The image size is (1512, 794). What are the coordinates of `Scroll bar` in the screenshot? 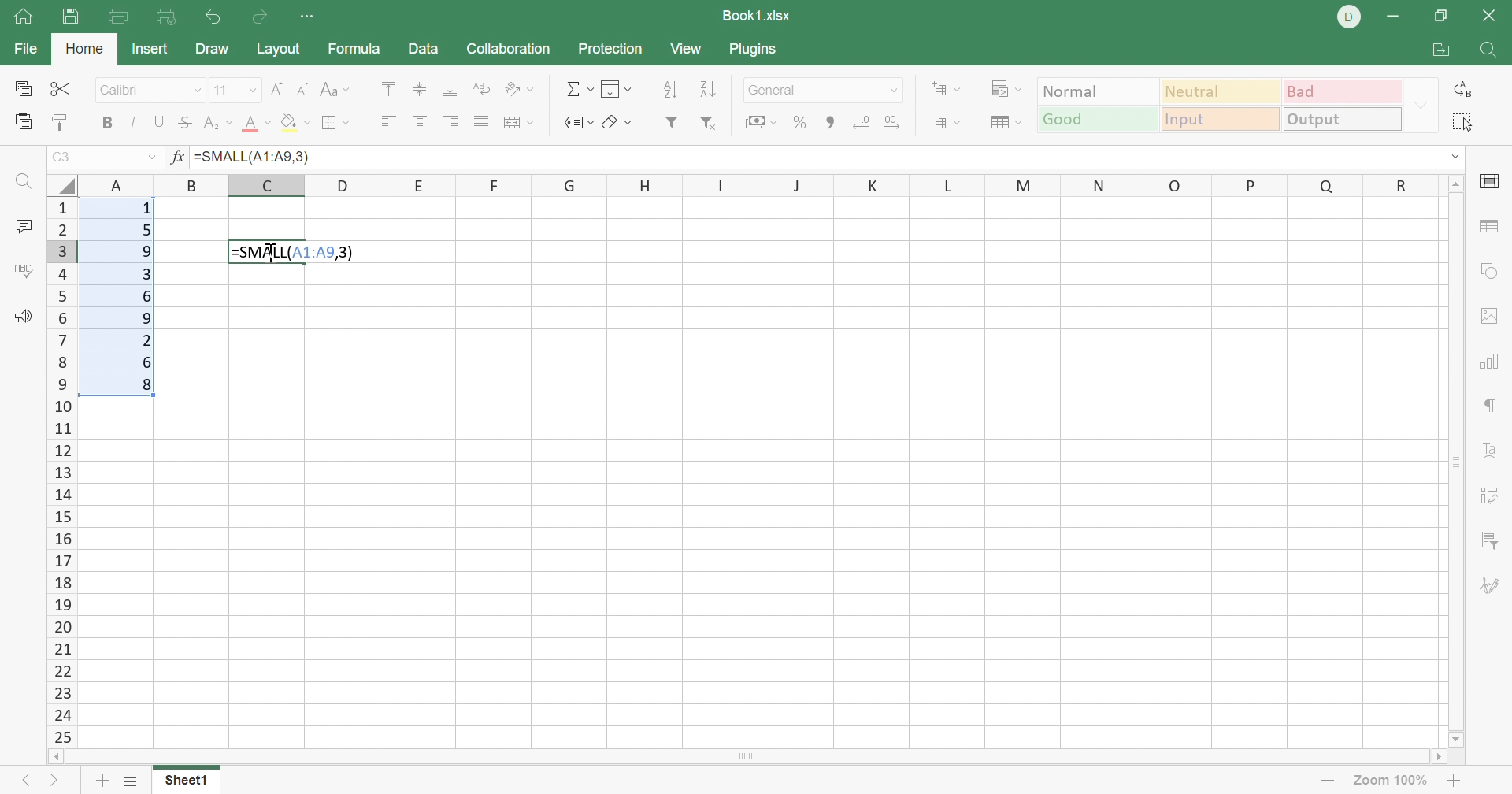 It's located at (1456, 462).